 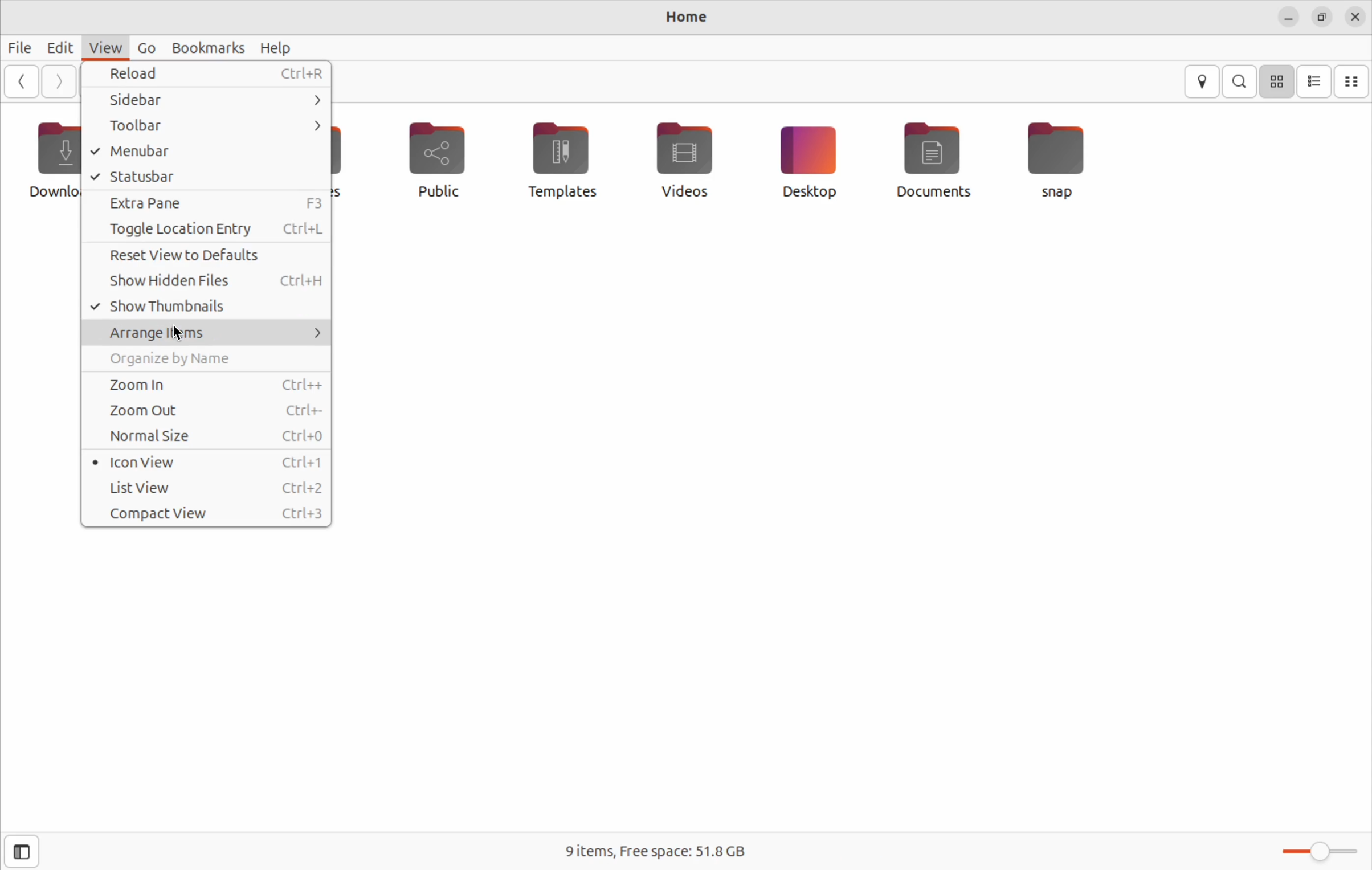 What do you see at coordinates (207, 514) in the screenshot?
I see `compact view` at bounding box center [207, 514].